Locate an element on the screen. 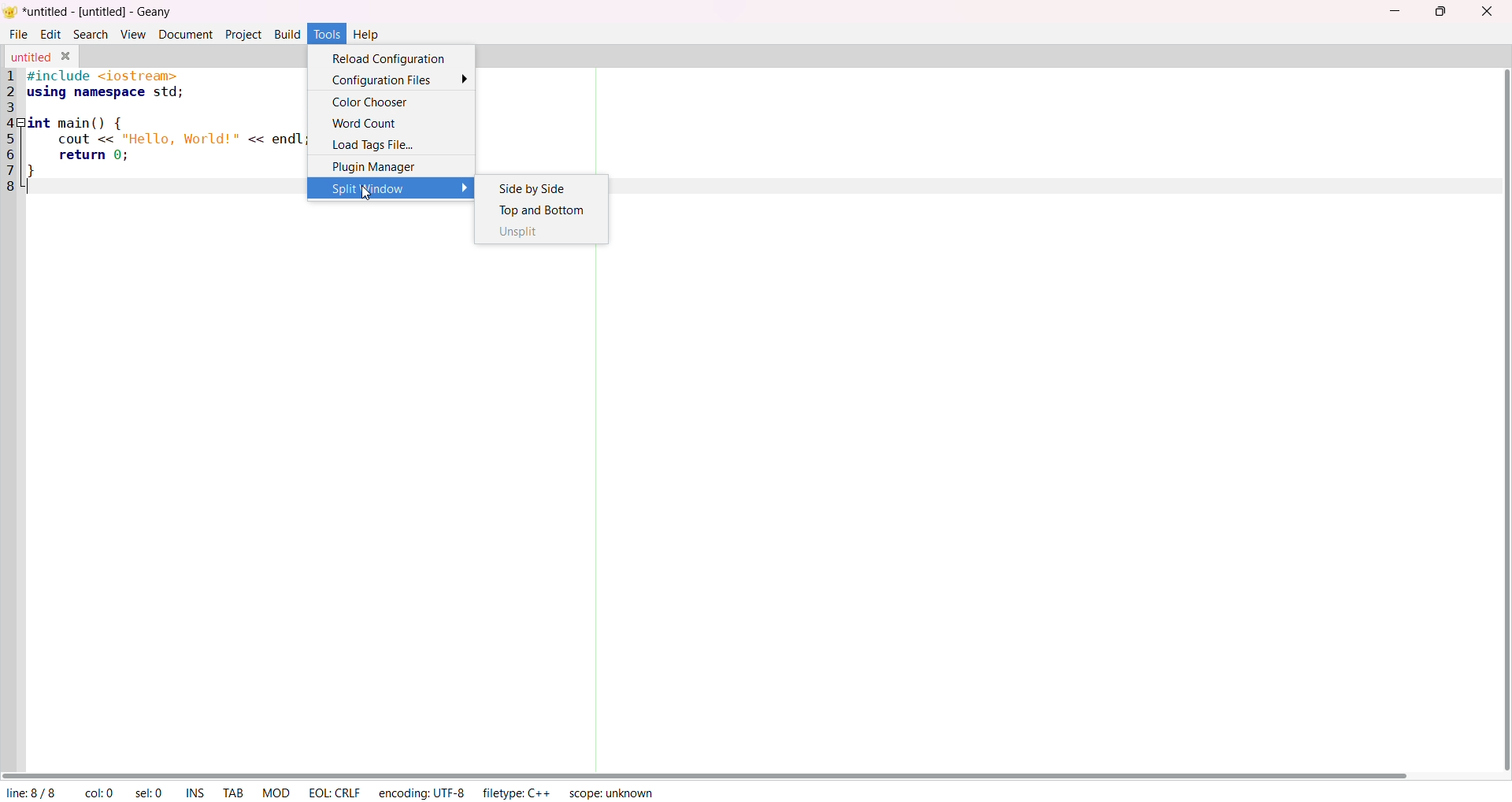  Document is located at coordinates (183, 34).